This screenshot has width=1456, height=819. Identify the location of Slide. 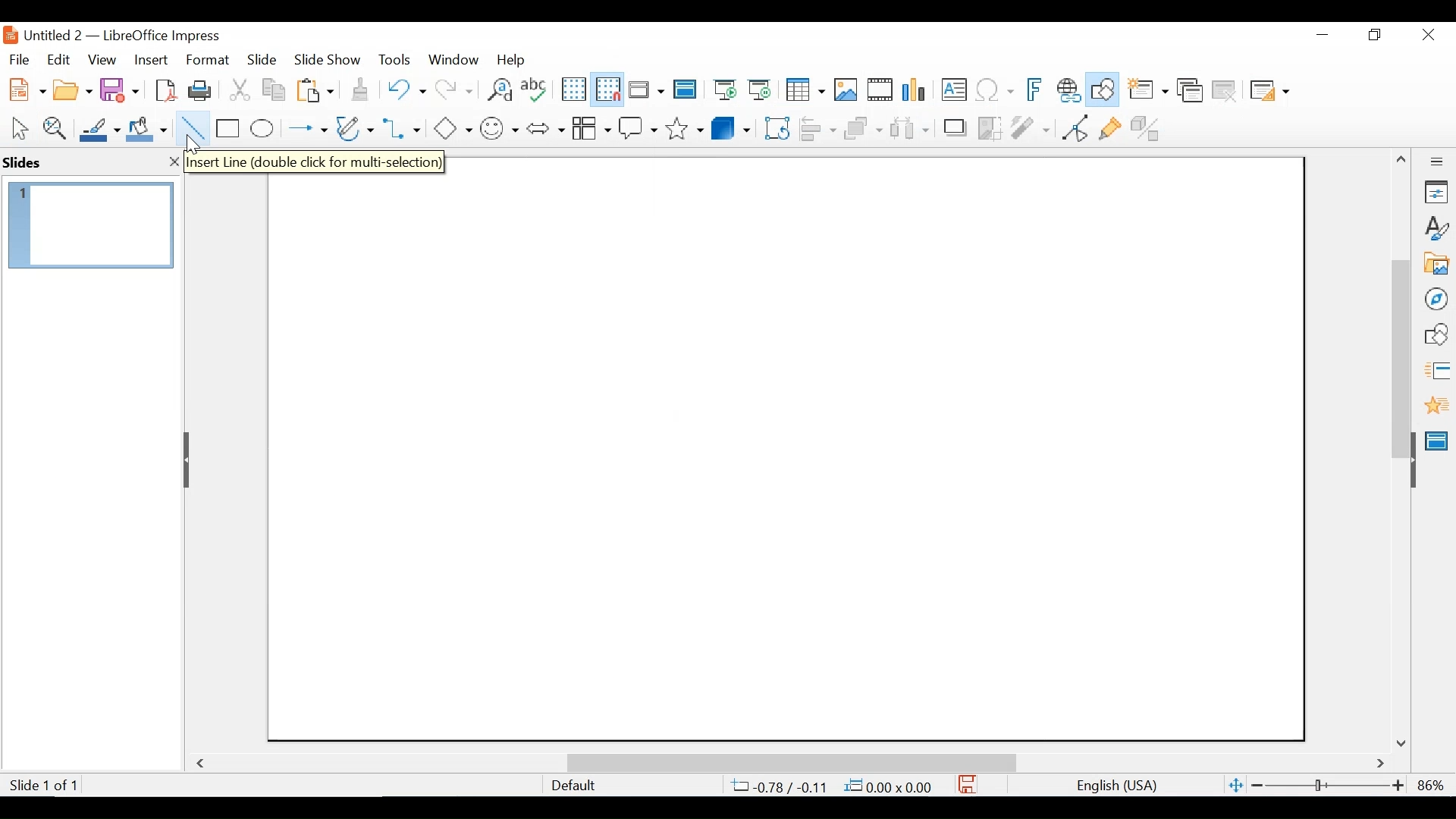
(262, 58).